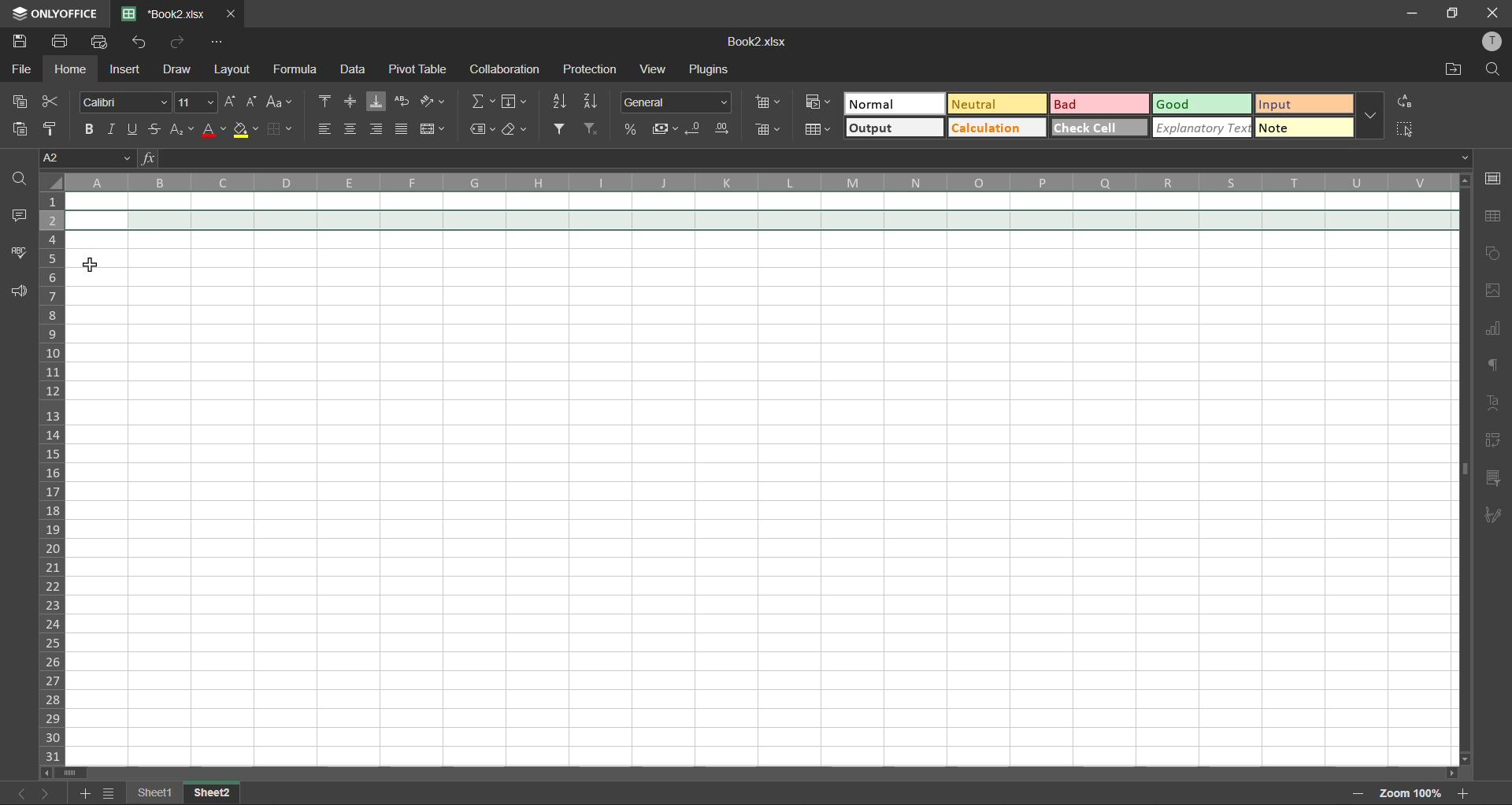 Image resolution: width=1512 pixels, height=805 pixels. I want to click on neutral, so click(996, 108).